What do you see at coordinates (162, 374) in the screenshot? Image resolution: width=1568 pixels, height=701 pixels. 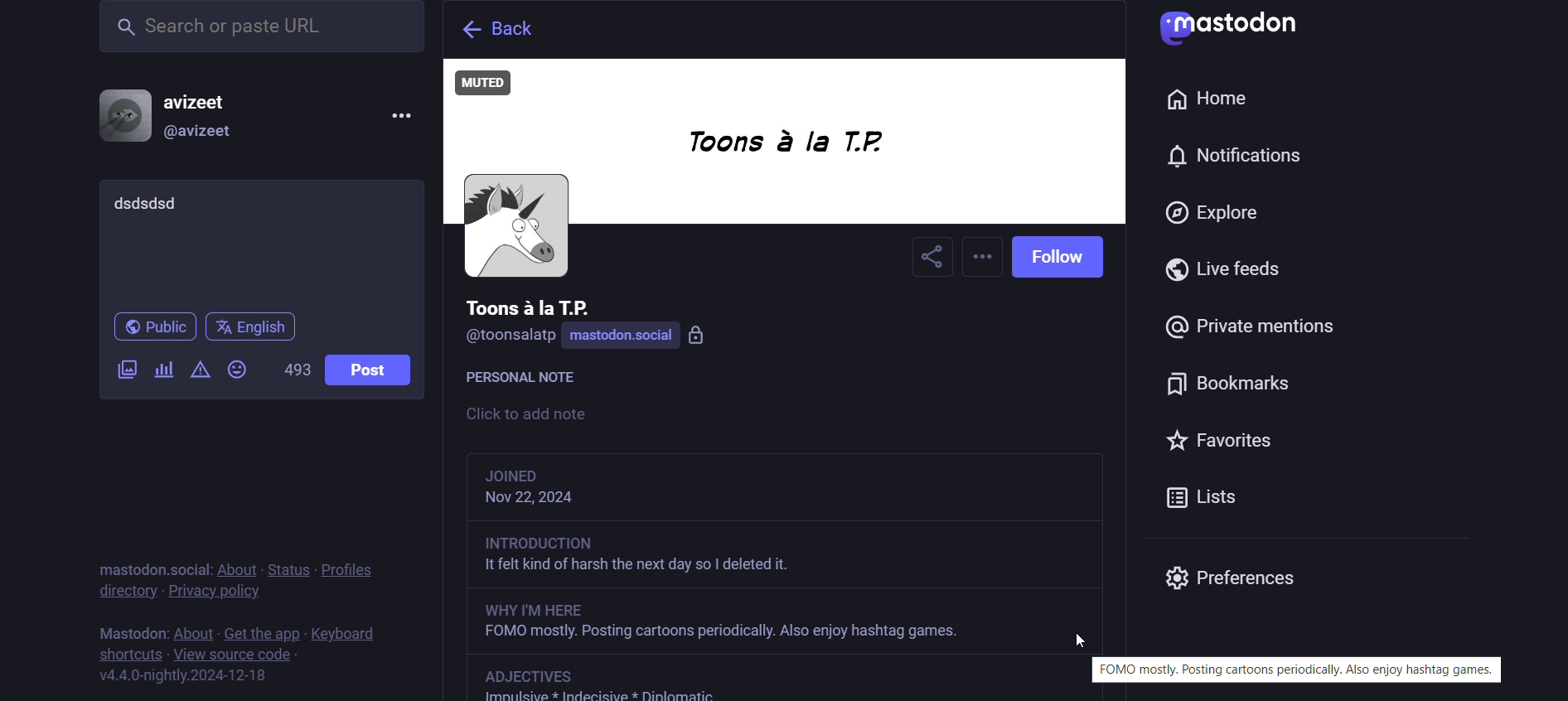 I see `add a poll` at bounding box center [162, 374].